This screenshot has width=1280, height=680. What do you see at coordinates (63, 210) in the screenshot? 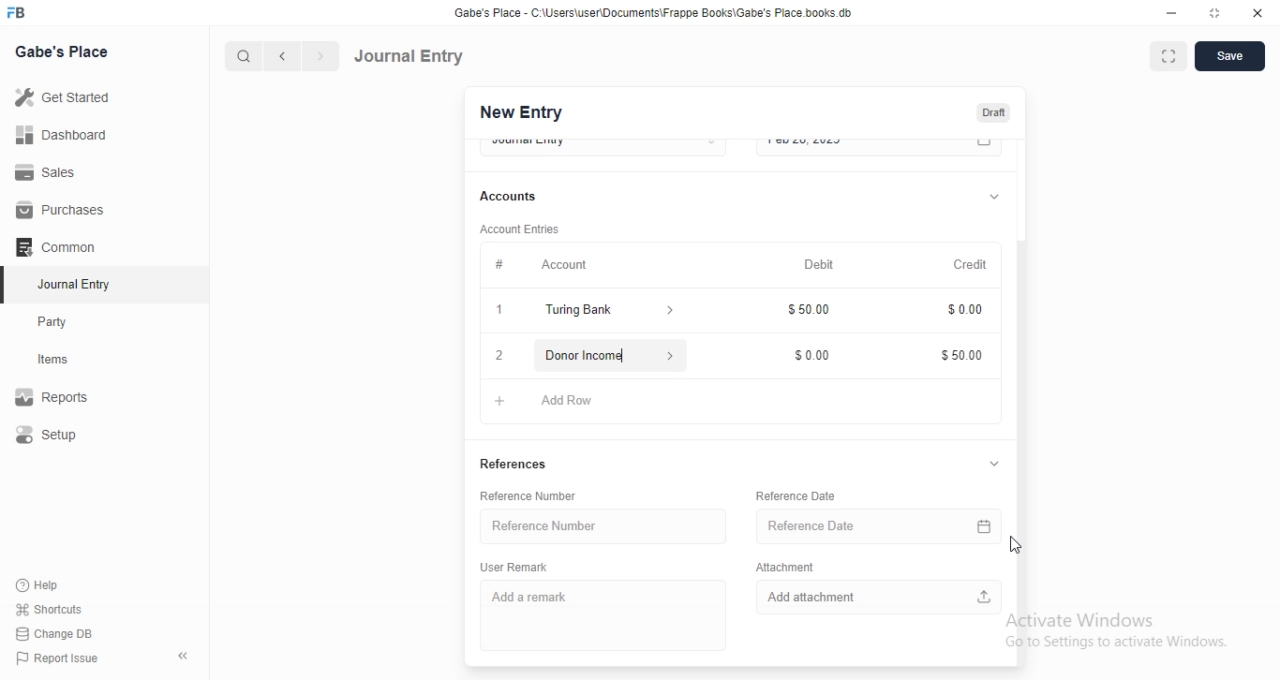
I see `Purchases` at bounding box center [63, 210].